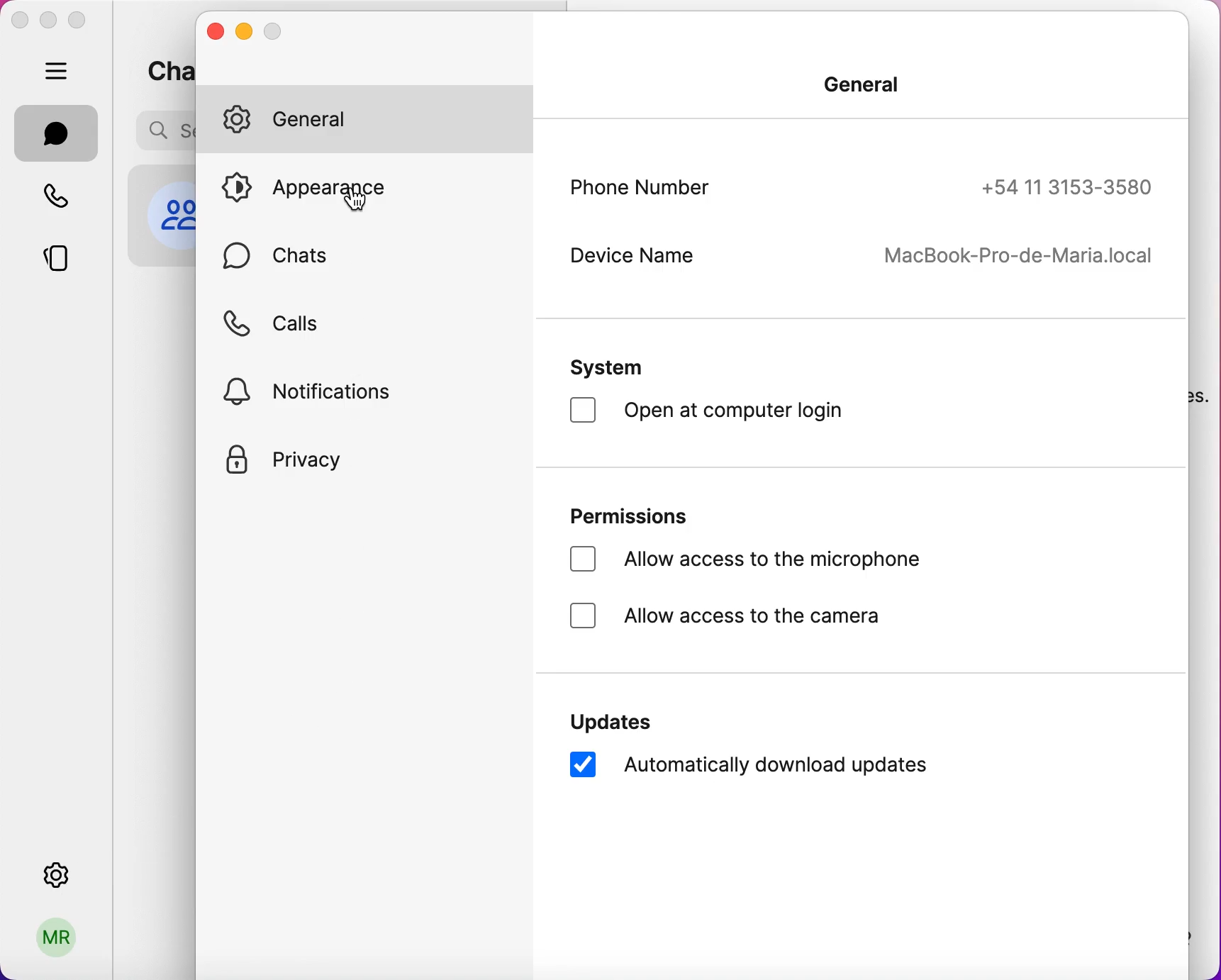 The width and height of the screenshot is (1221, 980). I want to click on updated, so click(620, 722).